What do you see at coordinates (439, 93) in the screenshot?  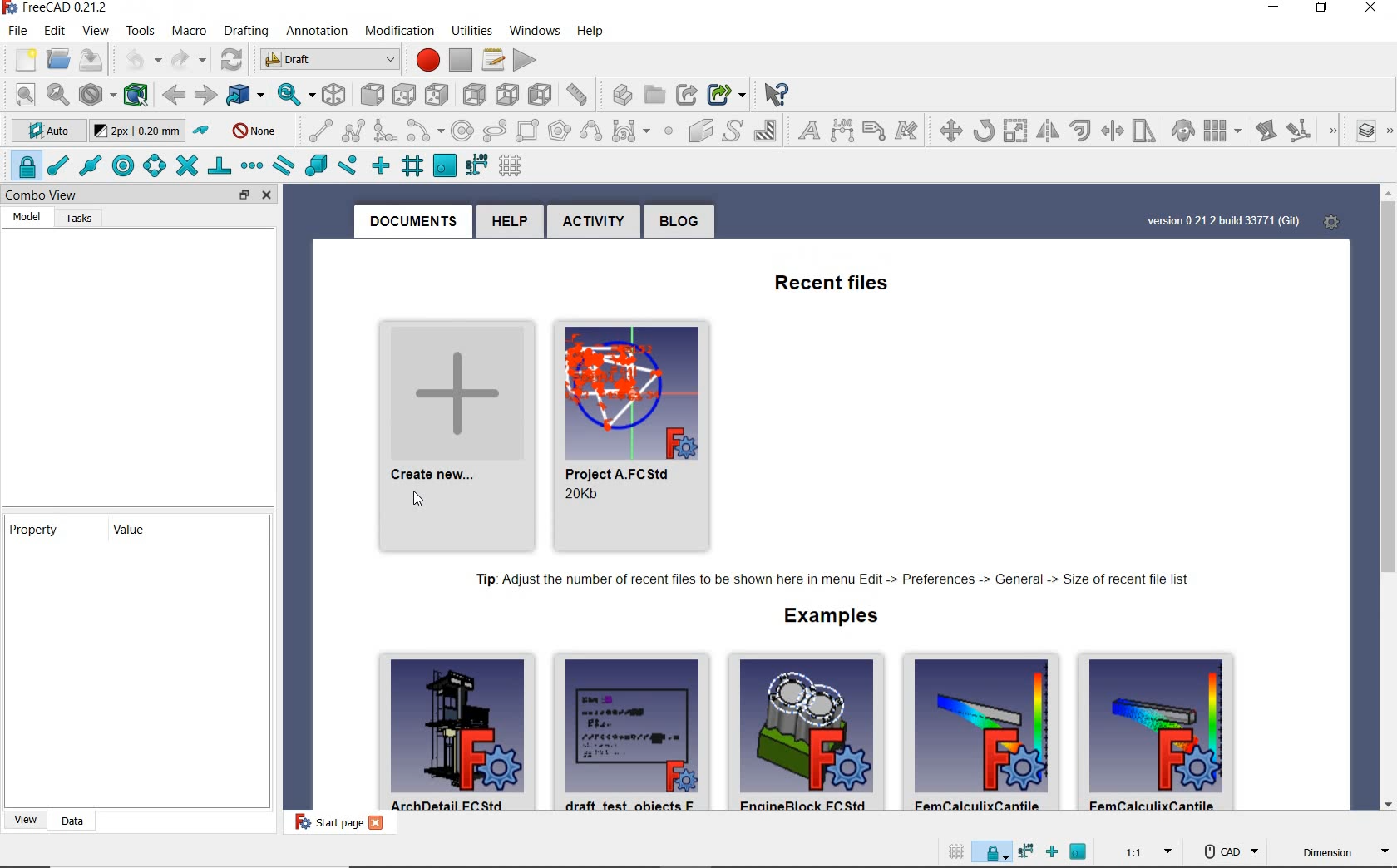 I see `rear` at bounding box center [439, 93].